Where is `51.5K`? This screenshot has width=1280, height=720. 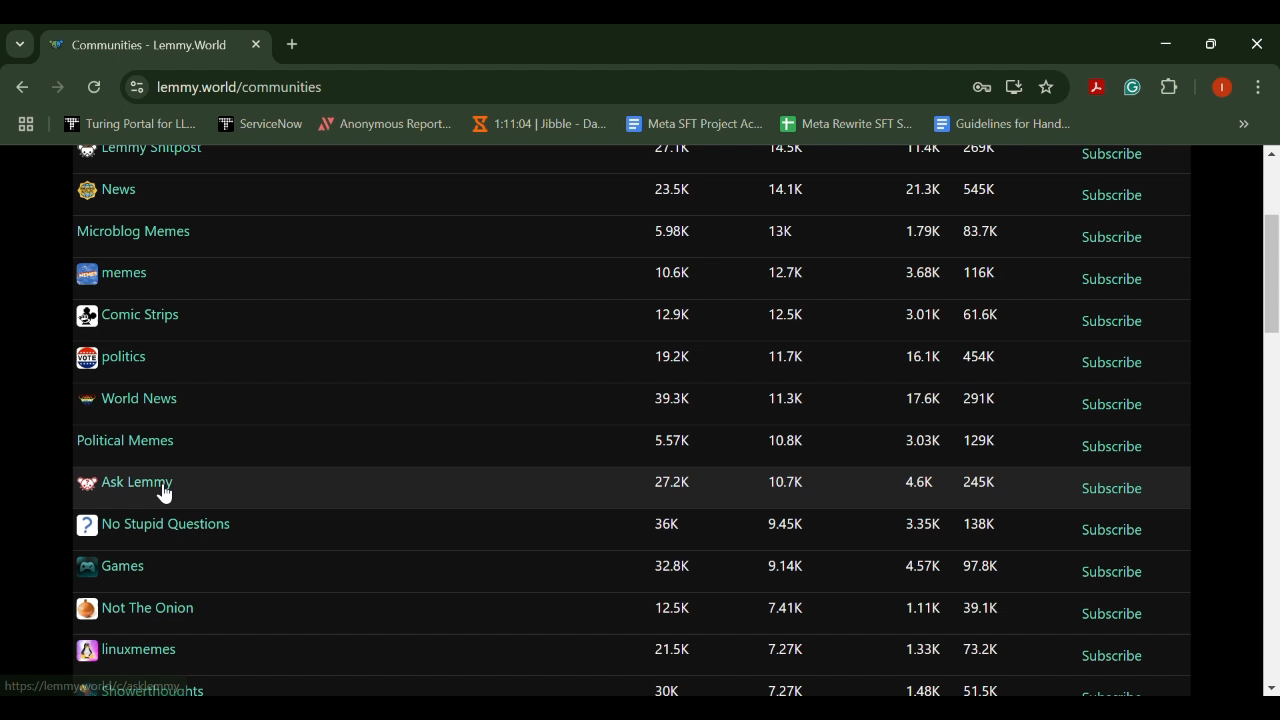
51.5K is located at coordinates (981, 692).